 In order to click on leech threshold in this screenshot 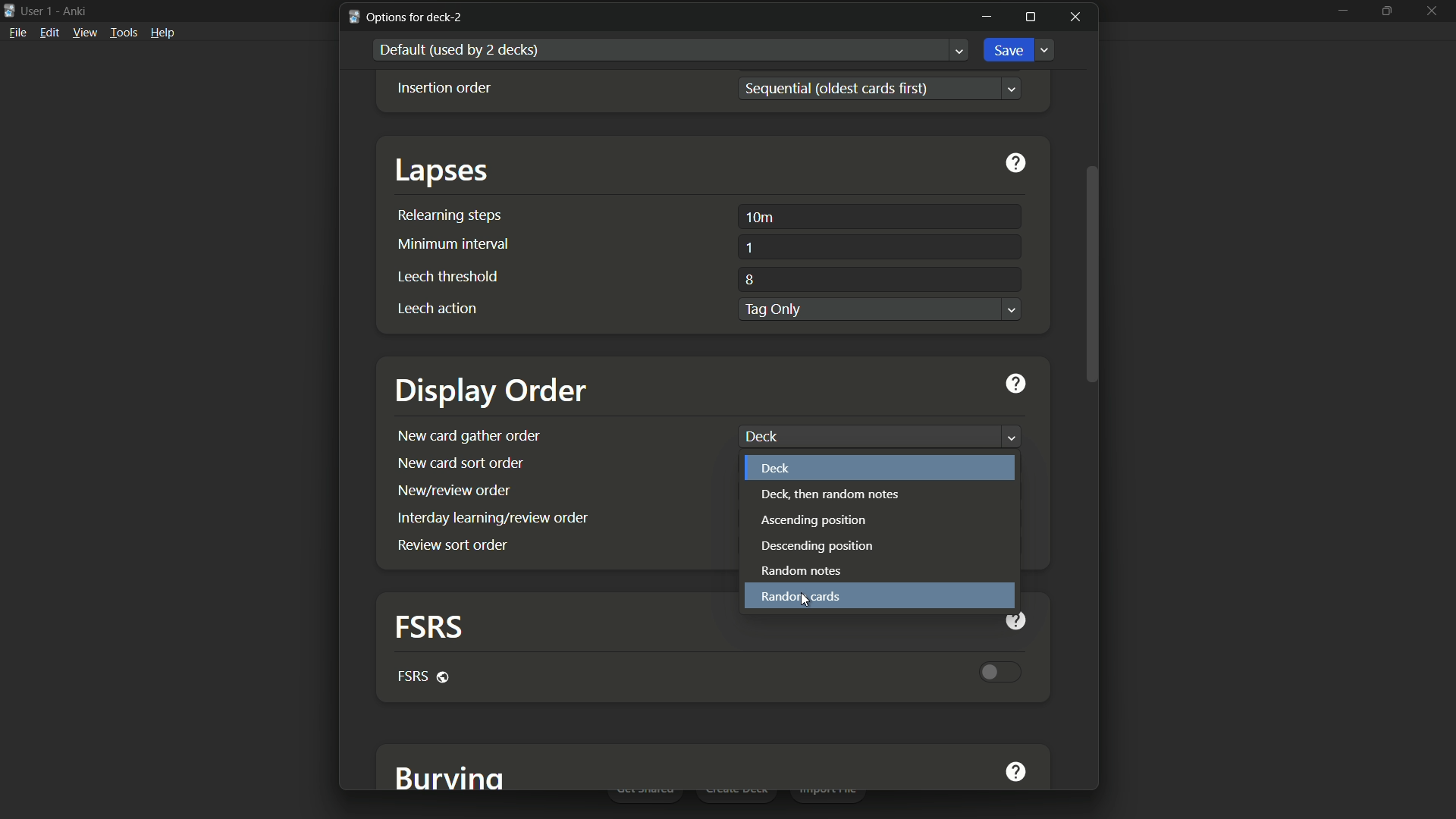, I will do `click(448, 275)`.